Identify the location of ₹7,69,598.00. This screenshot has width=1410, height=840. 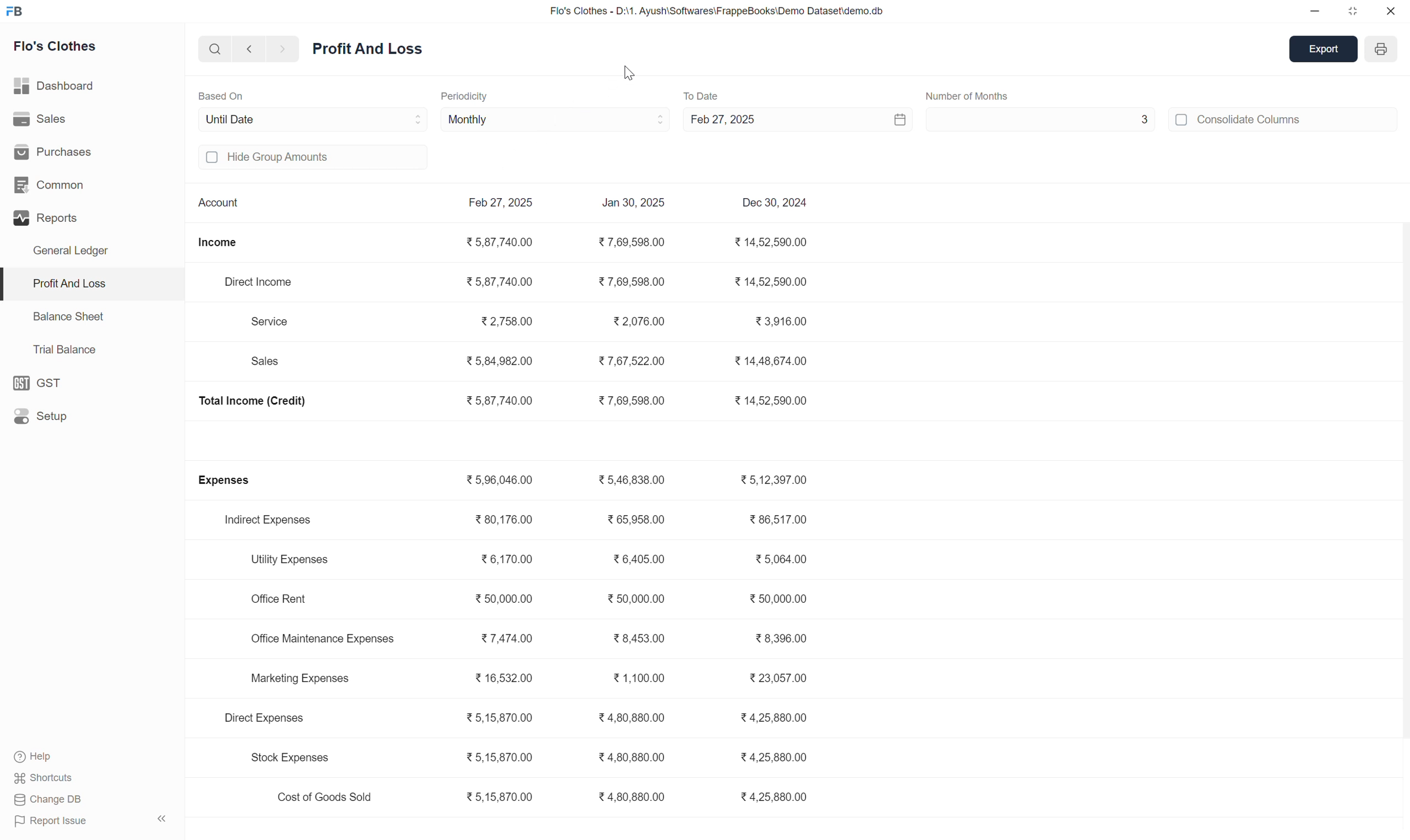
(627, 280).